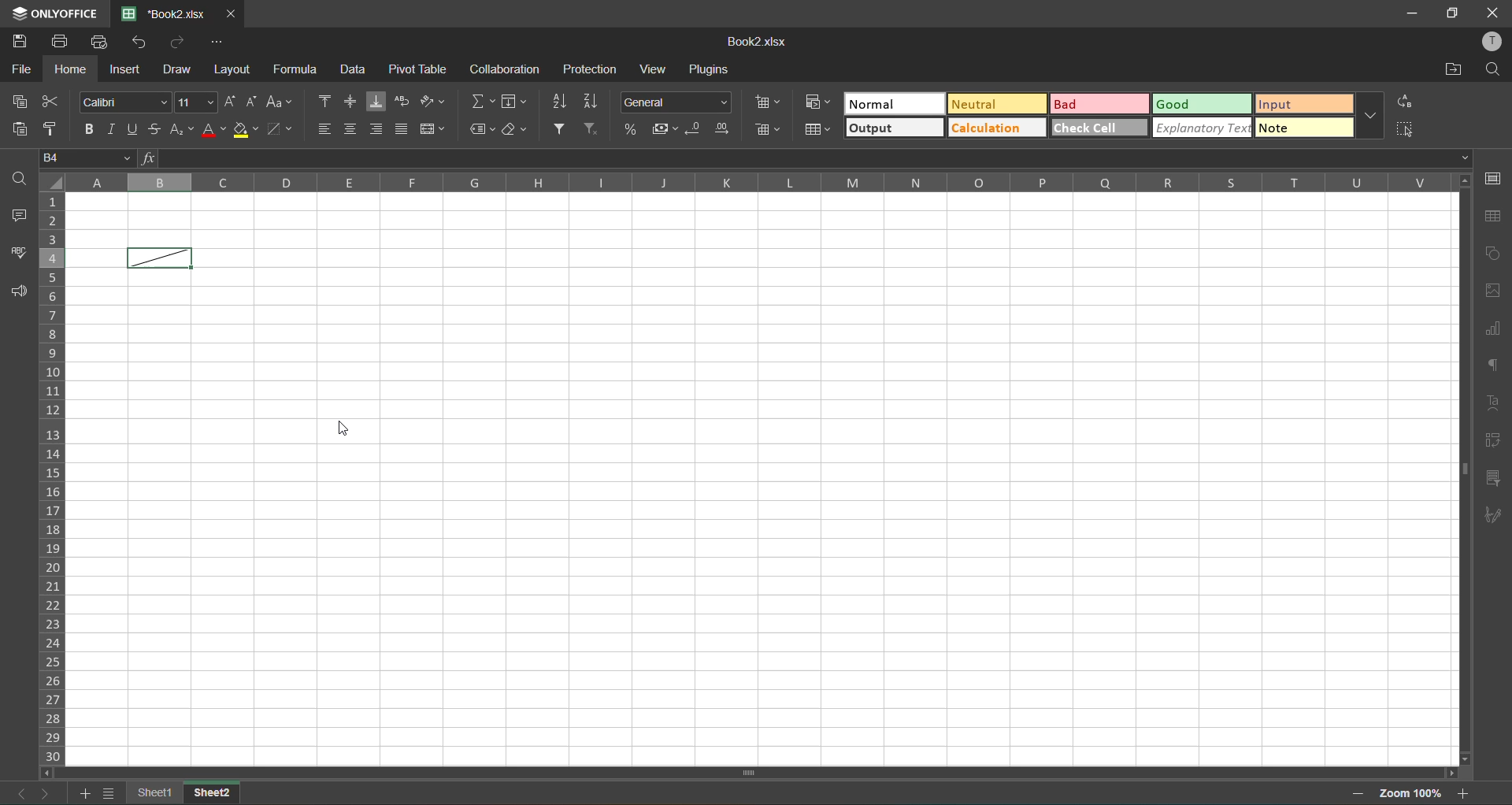  What do you see at coordinates (327, 131) in the screenshot?
I see `align left` at bounding box center [327, 131].